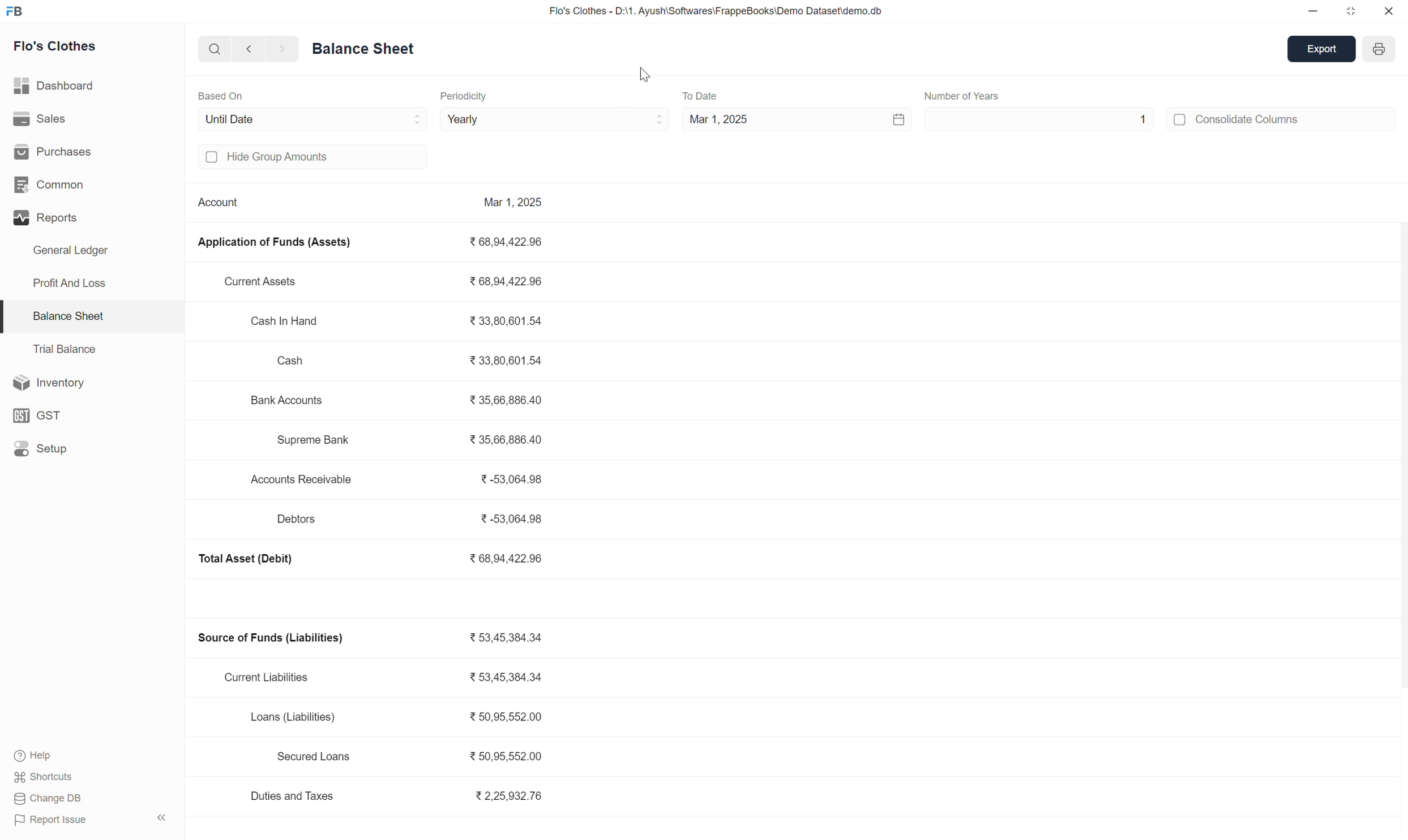 This screenshot has width=1408, height=840. What do you see at coordinates (704, 92) in the screenshot?
I see `To Date` at bounding box center [704, 92].